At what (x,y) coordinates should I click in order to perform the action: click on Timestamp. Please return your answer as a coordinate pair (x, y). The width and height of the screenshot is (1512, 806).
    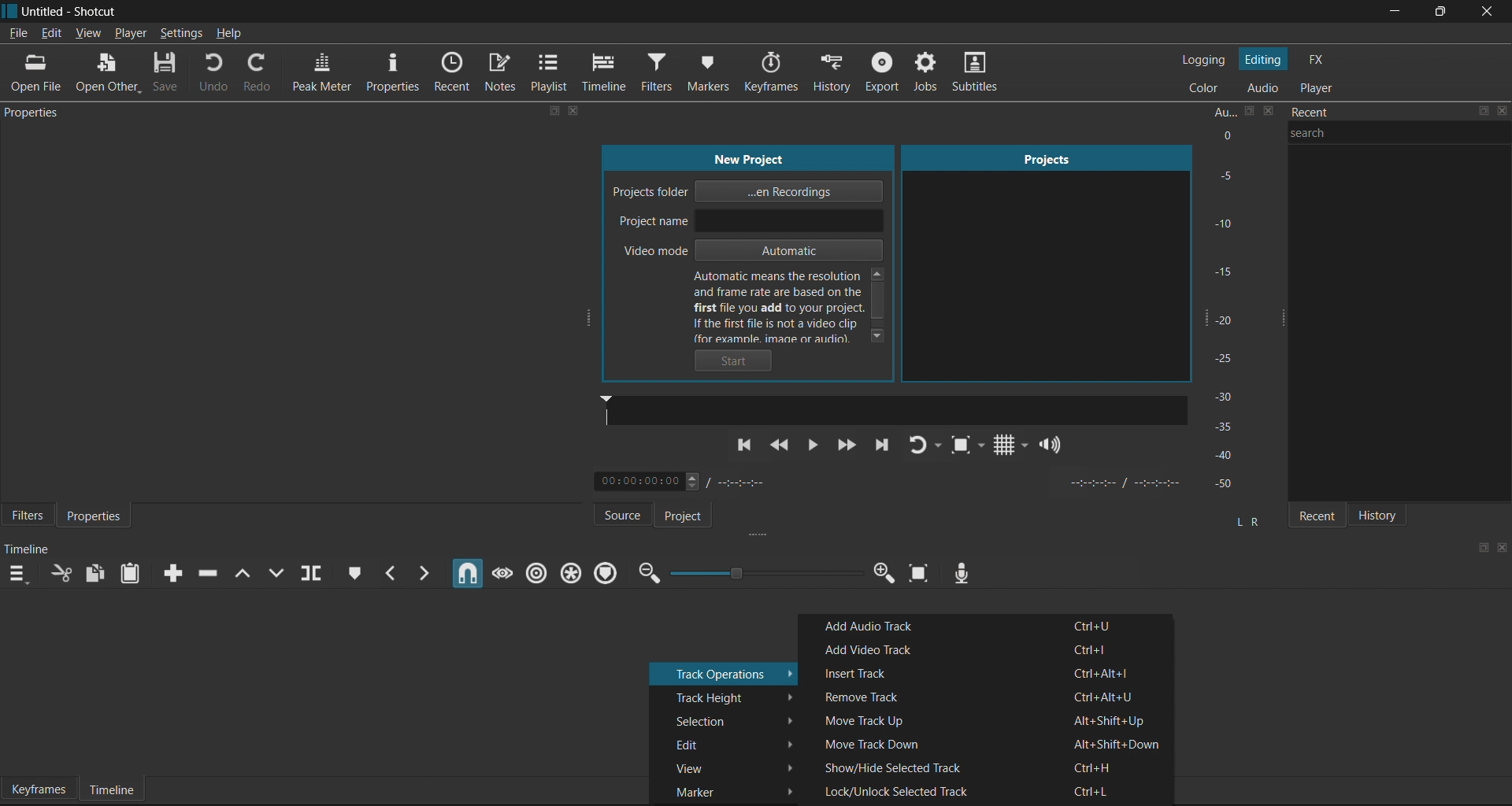
    Looking at the image, I should click on (691, 482).